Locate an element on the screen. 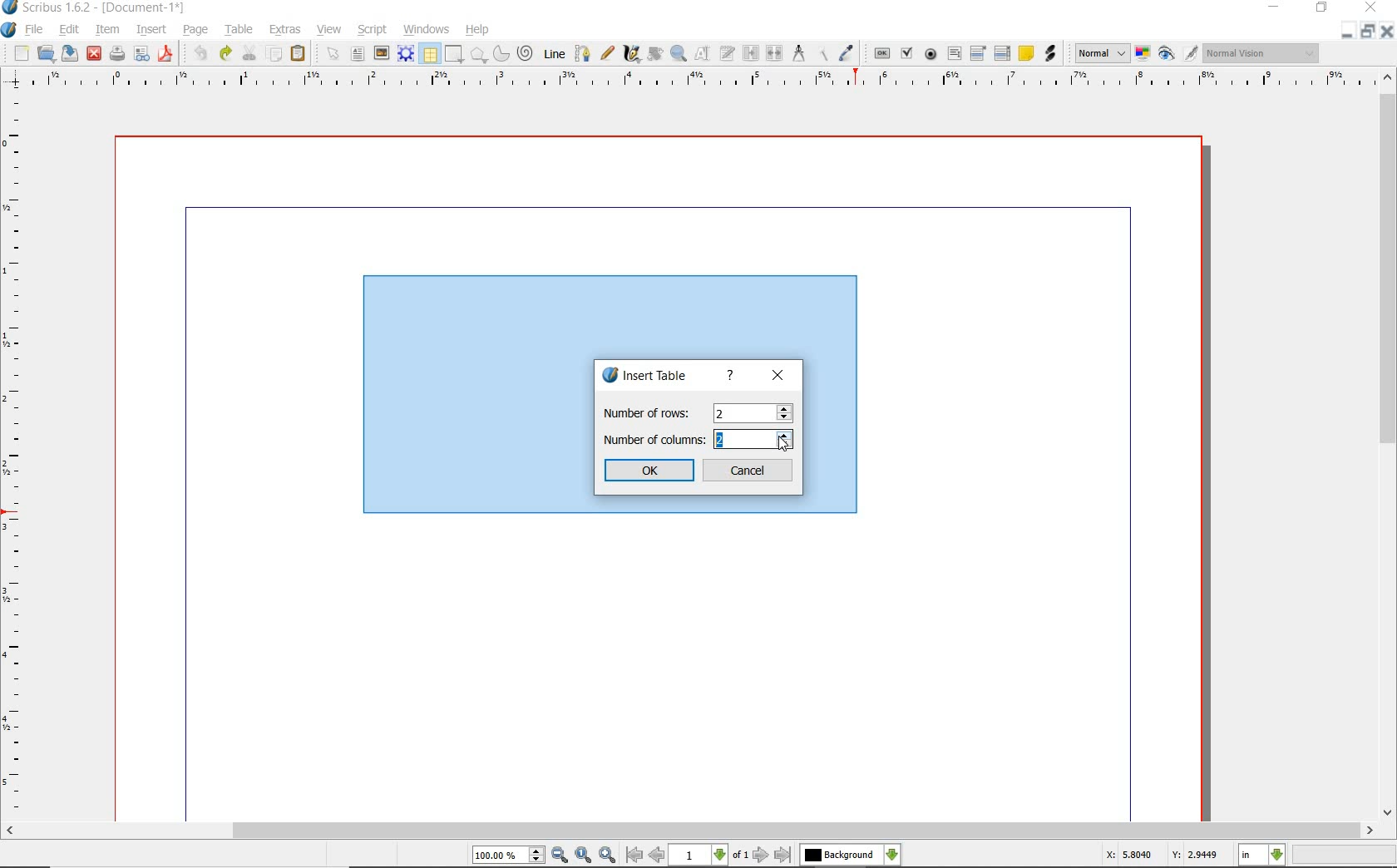  close is located at coordinates (777, 377).